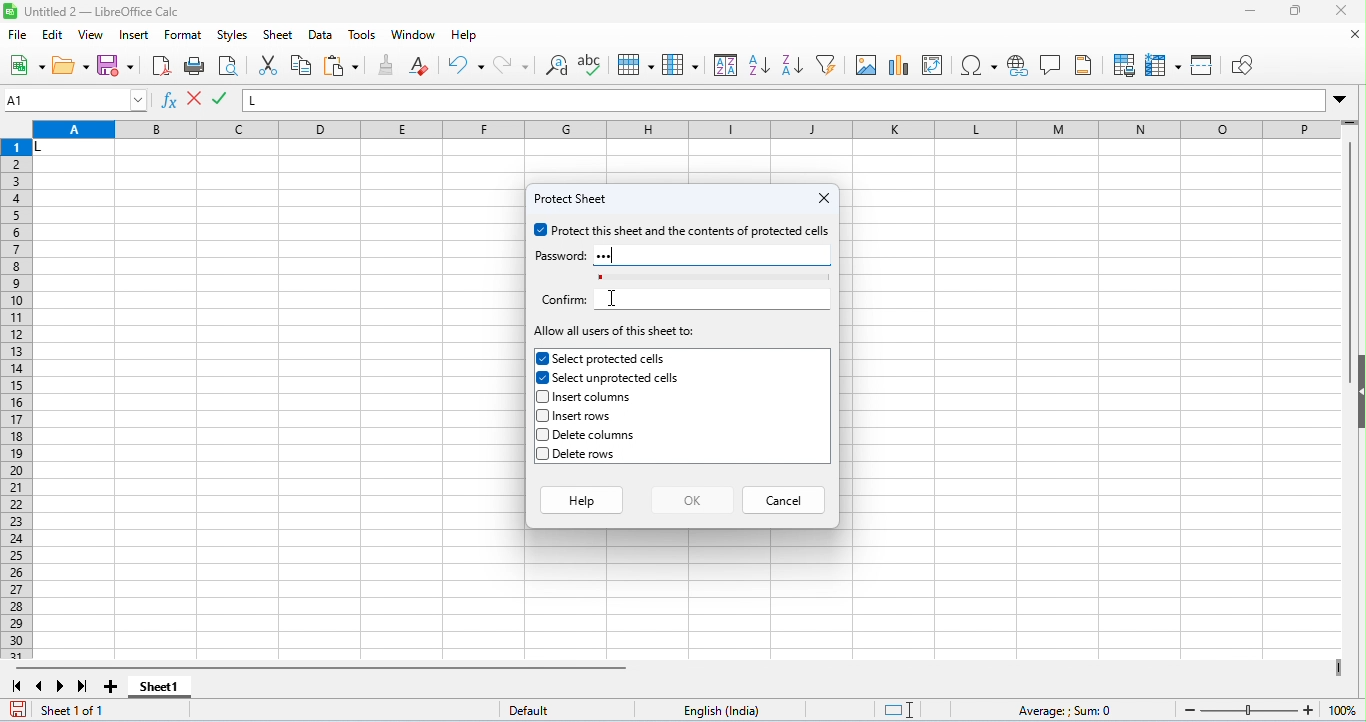 This screenshot has width=1366, height=722. I want to click on protect this sheet and the contents of protected cells, so click(683, 231).